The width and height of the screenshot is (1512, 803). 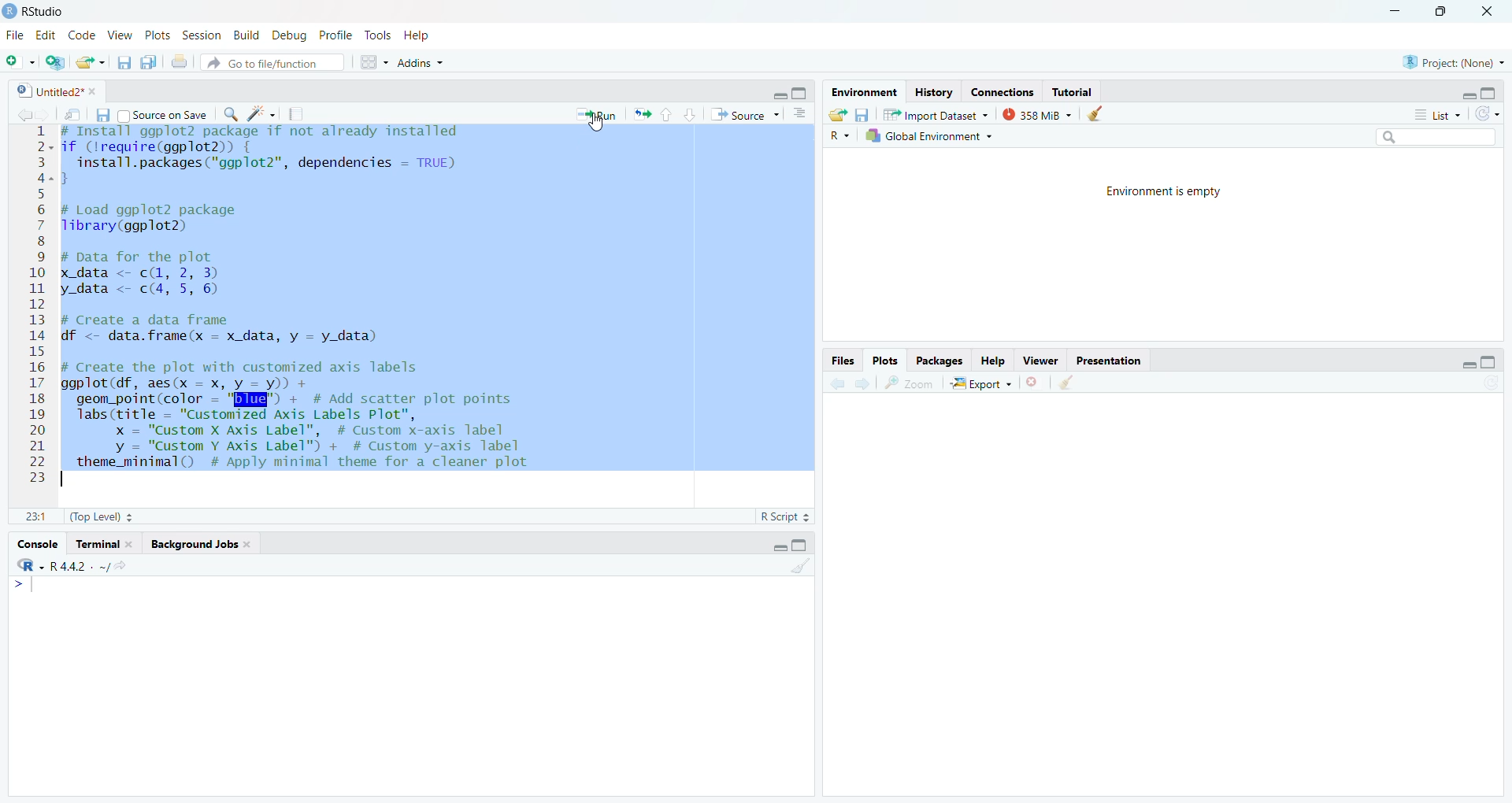 I want to click on R Script =, so click(x=786, y=516).